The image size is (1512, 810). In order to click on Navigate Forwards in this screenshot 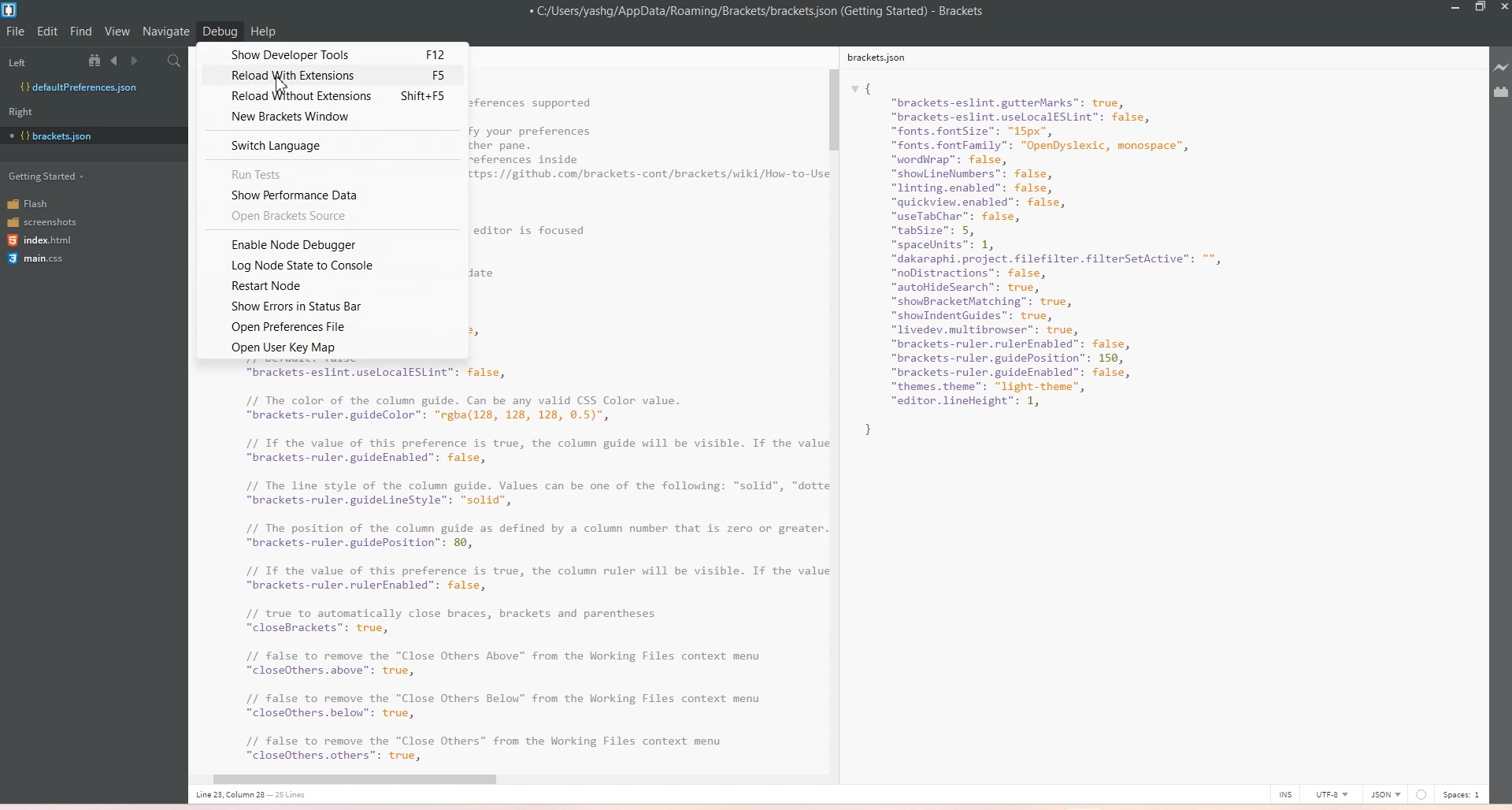, I will do `click(137, 61)`.